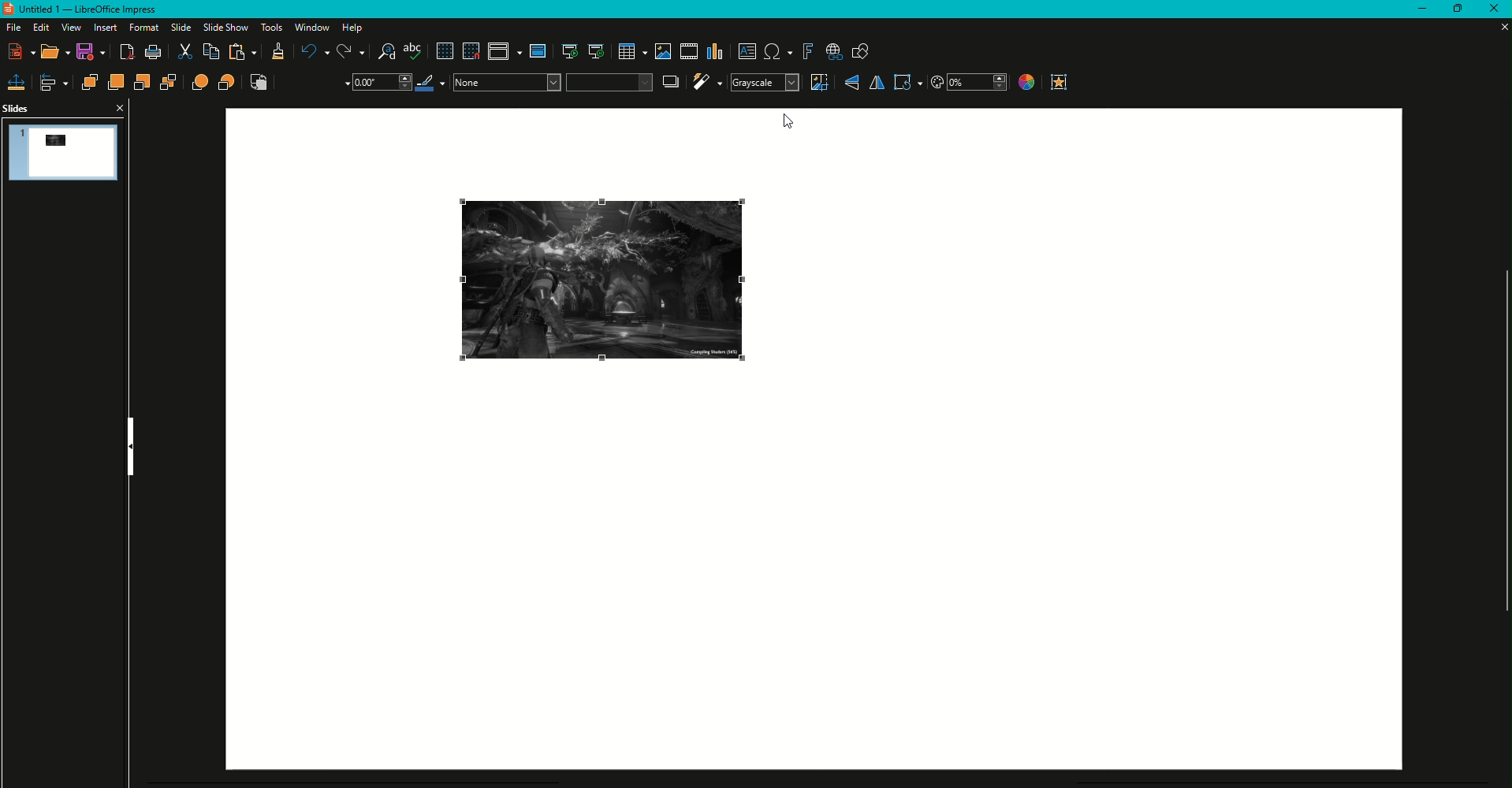 This screenshot has height=788, width=1512. I want to click on Slide Preview, so click(65, 151).